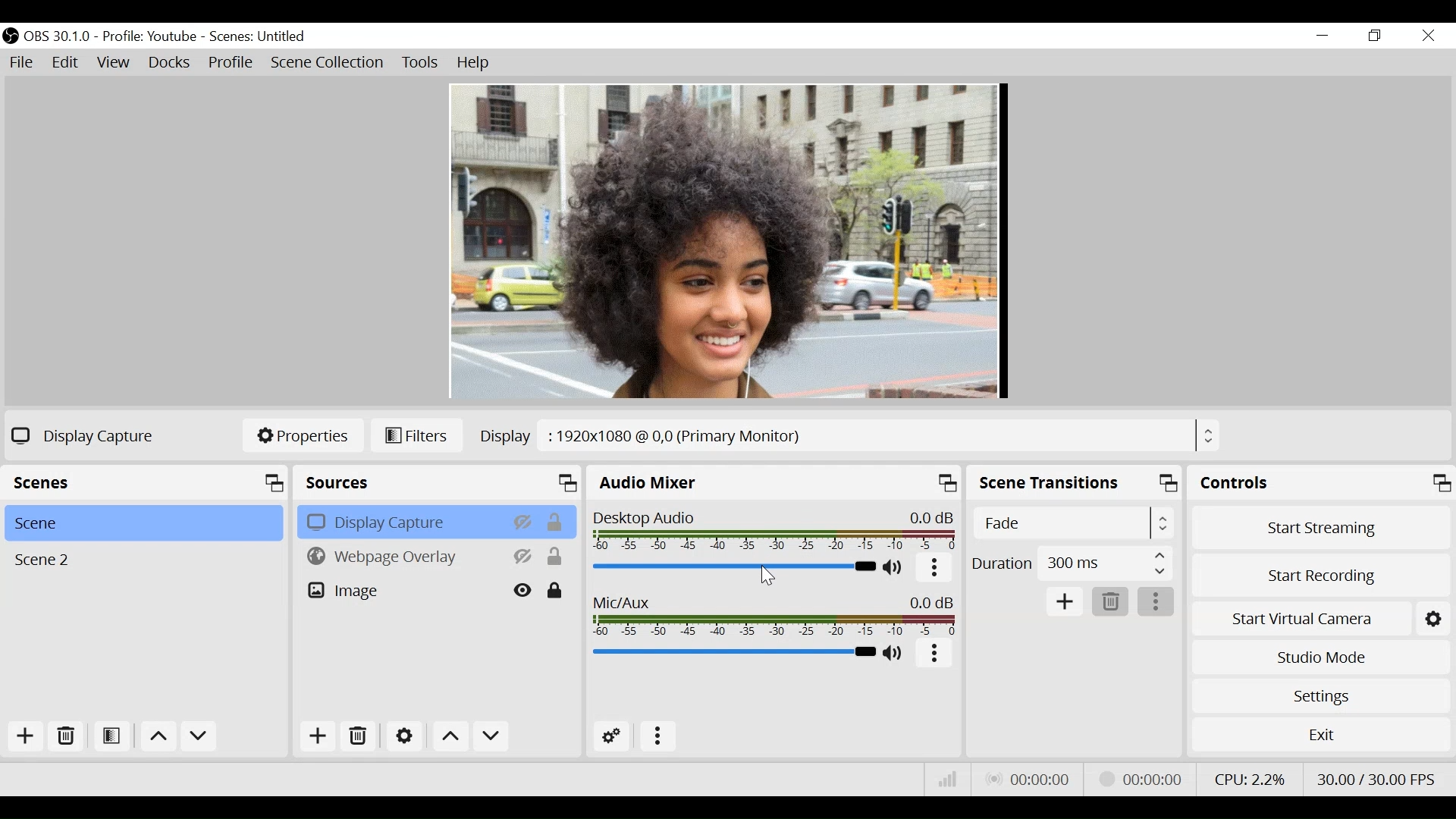 The width and height of the screenshot is (1456, 819). Describe the element at coordinates (230, 63) in the screenshot. I see `Profile` at that location.